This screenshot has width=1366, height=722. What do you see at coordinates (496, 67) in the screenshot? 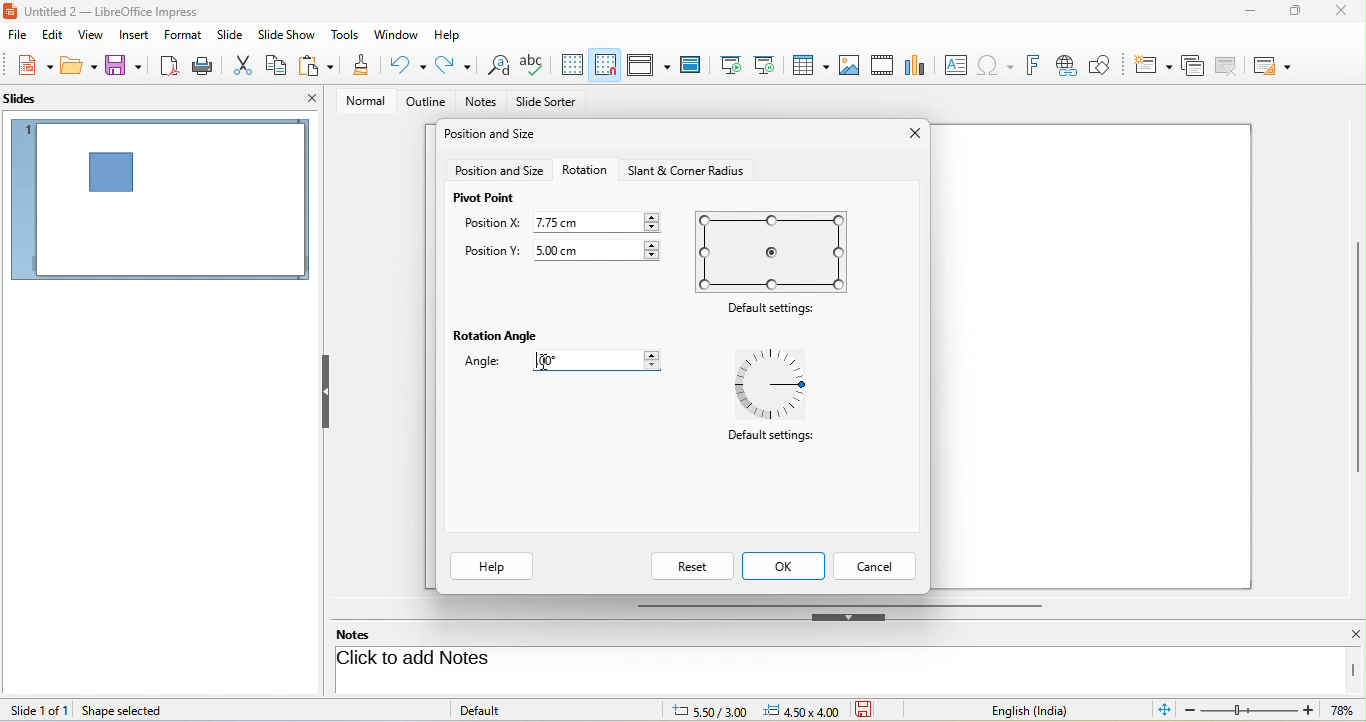
I see `find and replace` at bounding box center [496, 67].